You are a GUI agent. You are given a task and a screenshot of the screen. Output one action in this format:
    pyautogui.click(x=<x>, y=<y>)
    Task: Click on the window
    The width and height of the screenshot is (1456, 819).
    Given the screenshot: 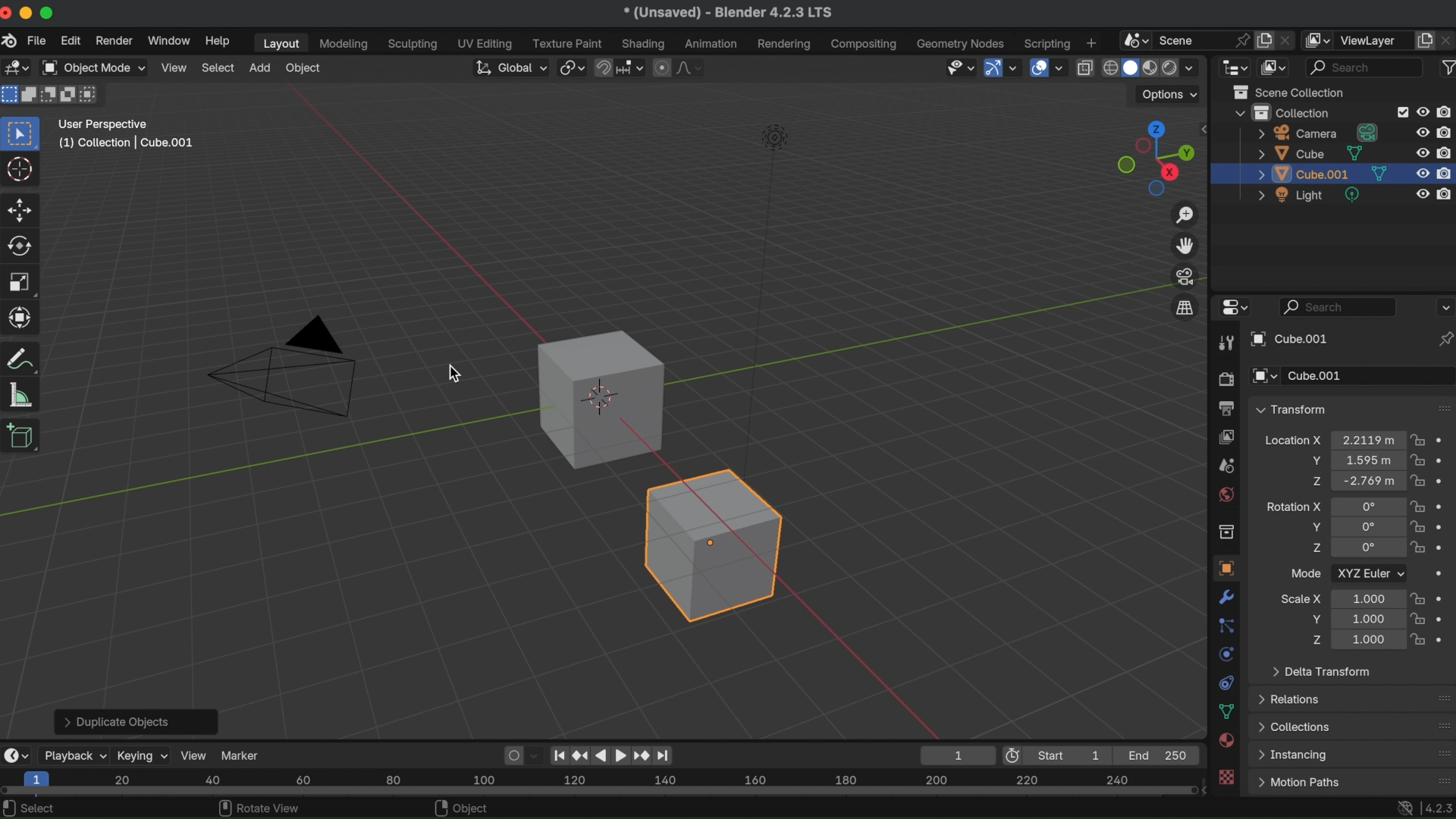 What is the action you would take?
    pyautogui.click(x=168, y=40)
    